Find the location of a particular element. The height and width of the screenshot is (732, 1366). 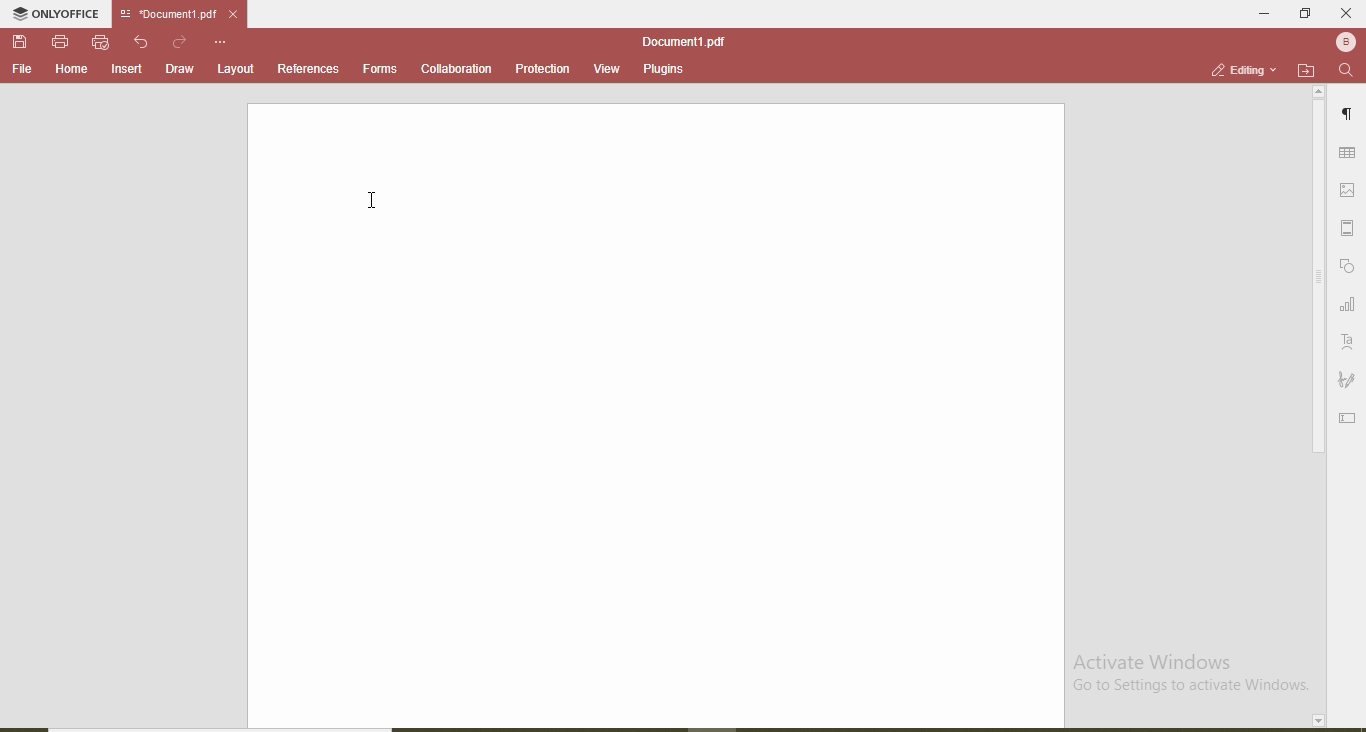

shapes is located at coordinates (1349, 267).